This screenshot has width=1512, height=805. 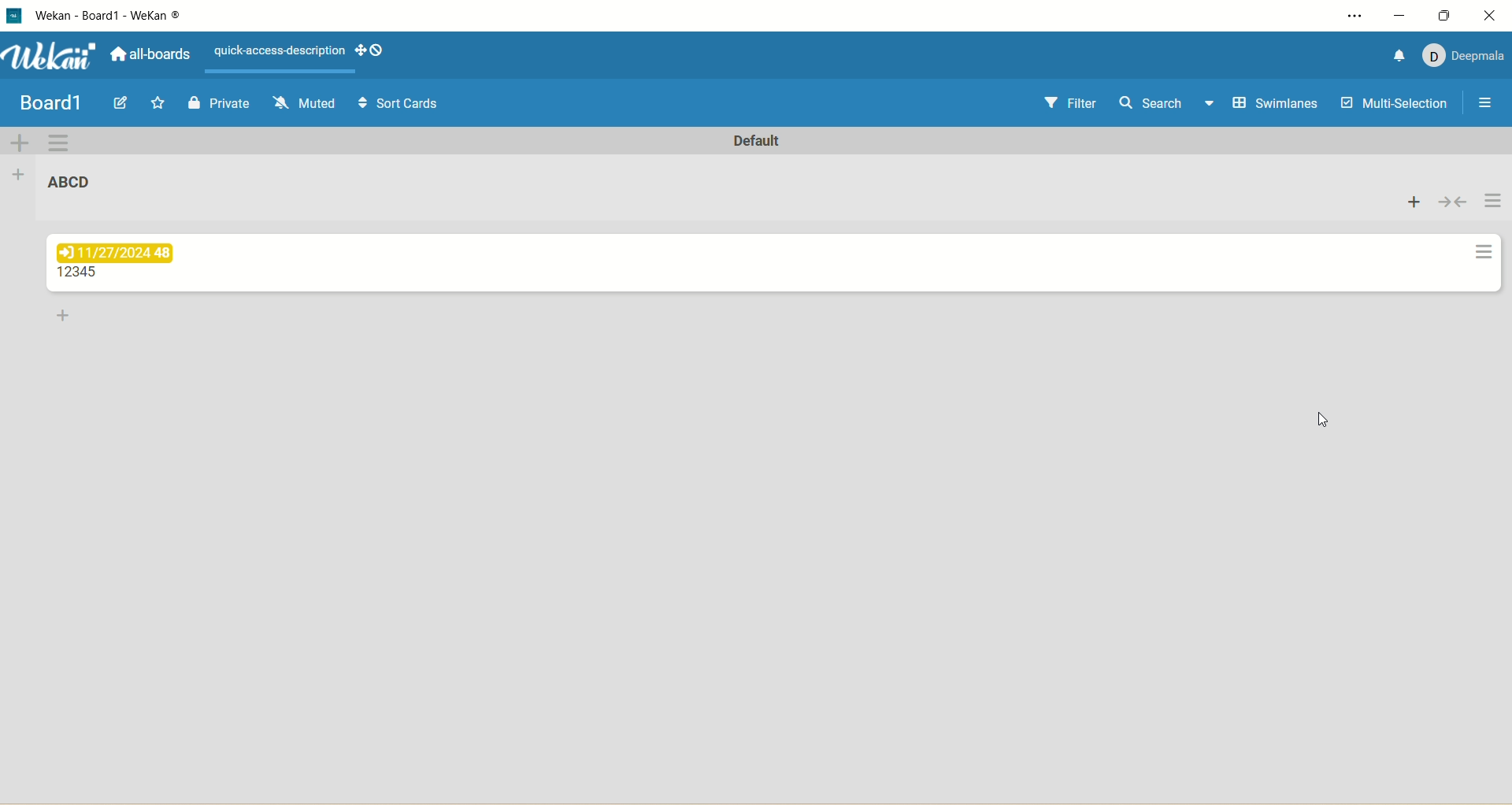 I want to click on notification, so click(x=1400, y=56).